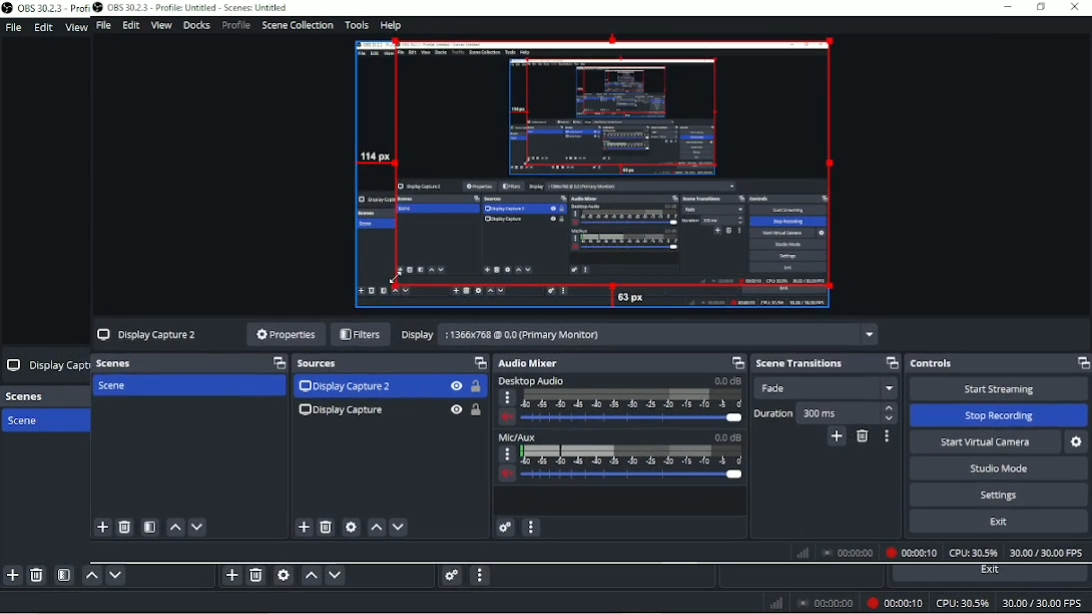 This screenshot has height=614, width=1092. Describe the element at coordinates (504, 455) in the screenshot. I see `more options` at that location.